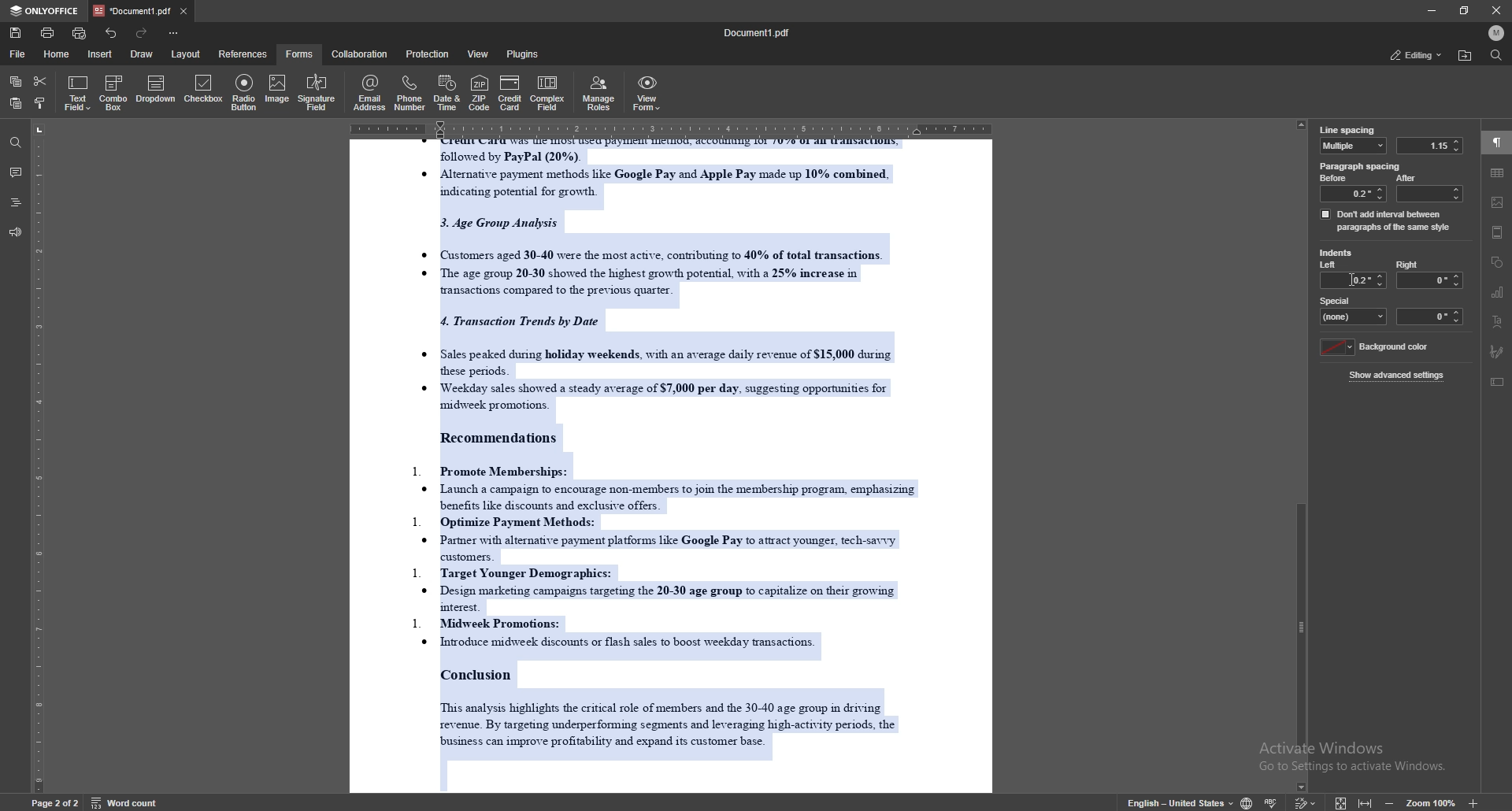 Image resolution: width=1512 pixels, height=811 pixels. Describe the element at coordinates (1351, 187) in the screenshot. I see `before: 0.2` at that location.